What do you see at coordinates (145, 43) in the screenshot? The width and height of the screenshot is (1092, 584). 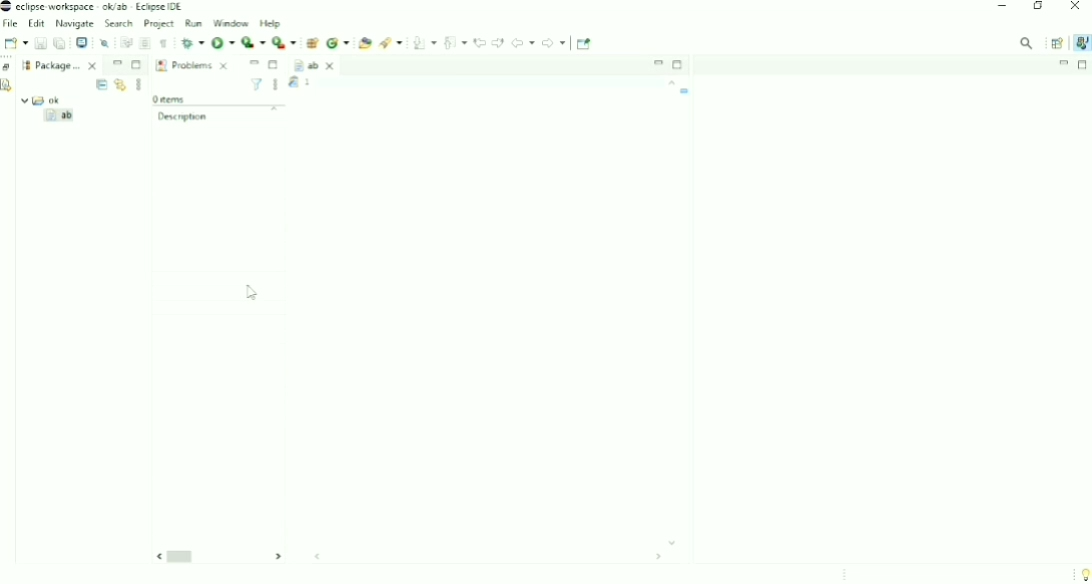 I see `Toggle Block Selection` at bounding box center [145, 43].